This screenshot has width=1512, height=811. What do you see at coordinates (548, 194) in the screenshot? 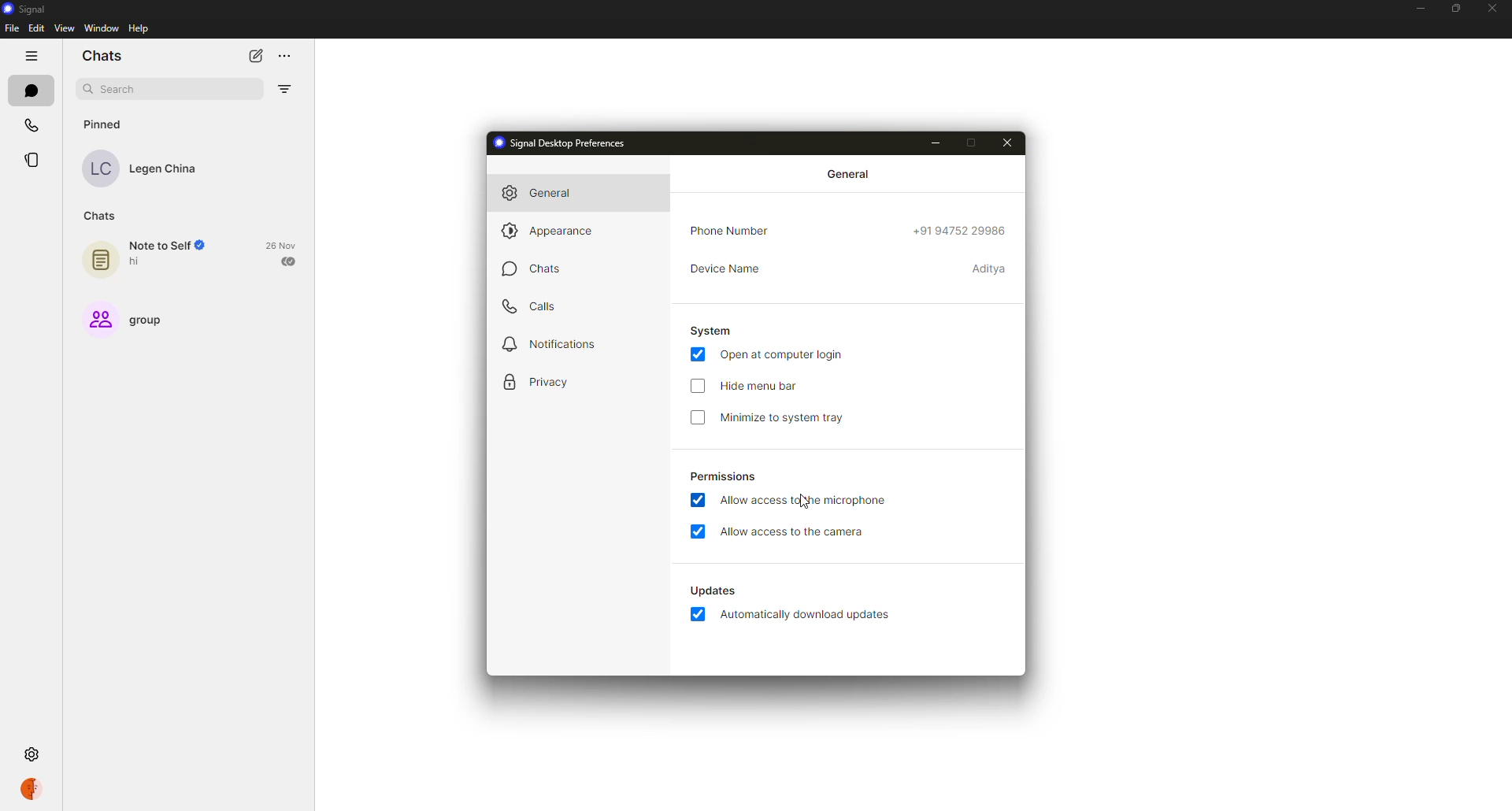
I see `general` at bounding box center [548, 194].